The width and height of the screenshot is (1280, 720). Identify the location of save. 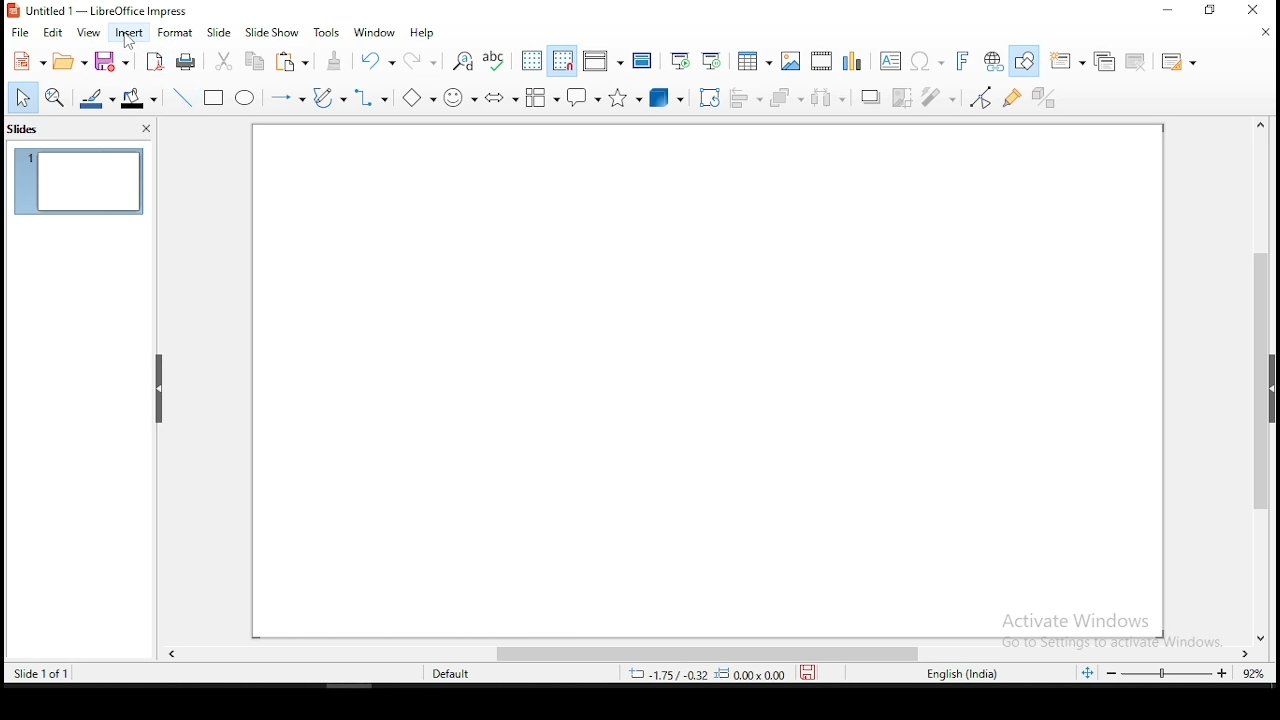
(118, 62).